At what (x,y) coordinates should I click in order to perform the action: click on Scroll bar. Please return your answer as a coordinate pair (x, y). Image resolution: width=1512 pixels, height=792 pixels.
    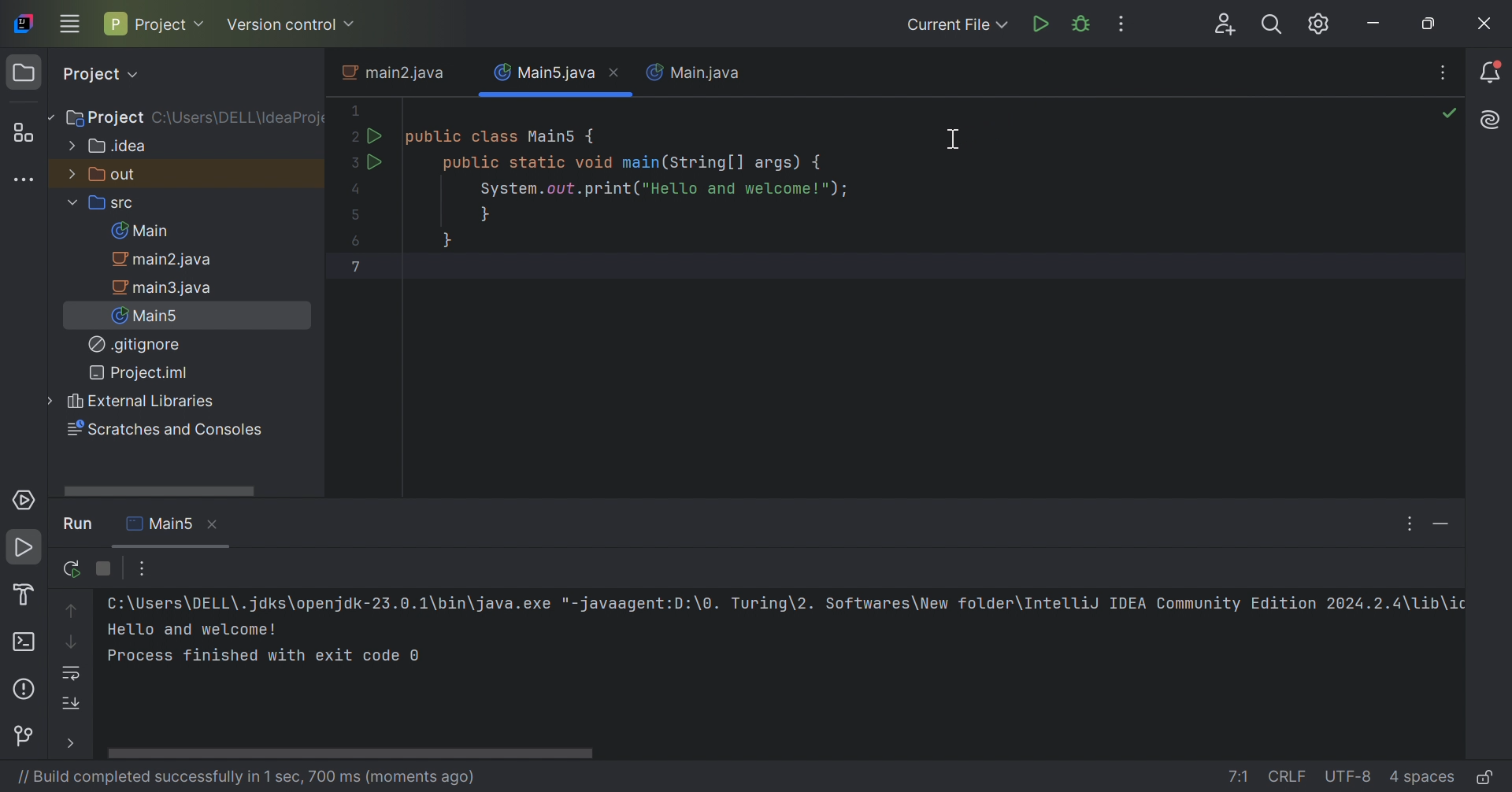
    Looking at the image, I should click on (780, 754).